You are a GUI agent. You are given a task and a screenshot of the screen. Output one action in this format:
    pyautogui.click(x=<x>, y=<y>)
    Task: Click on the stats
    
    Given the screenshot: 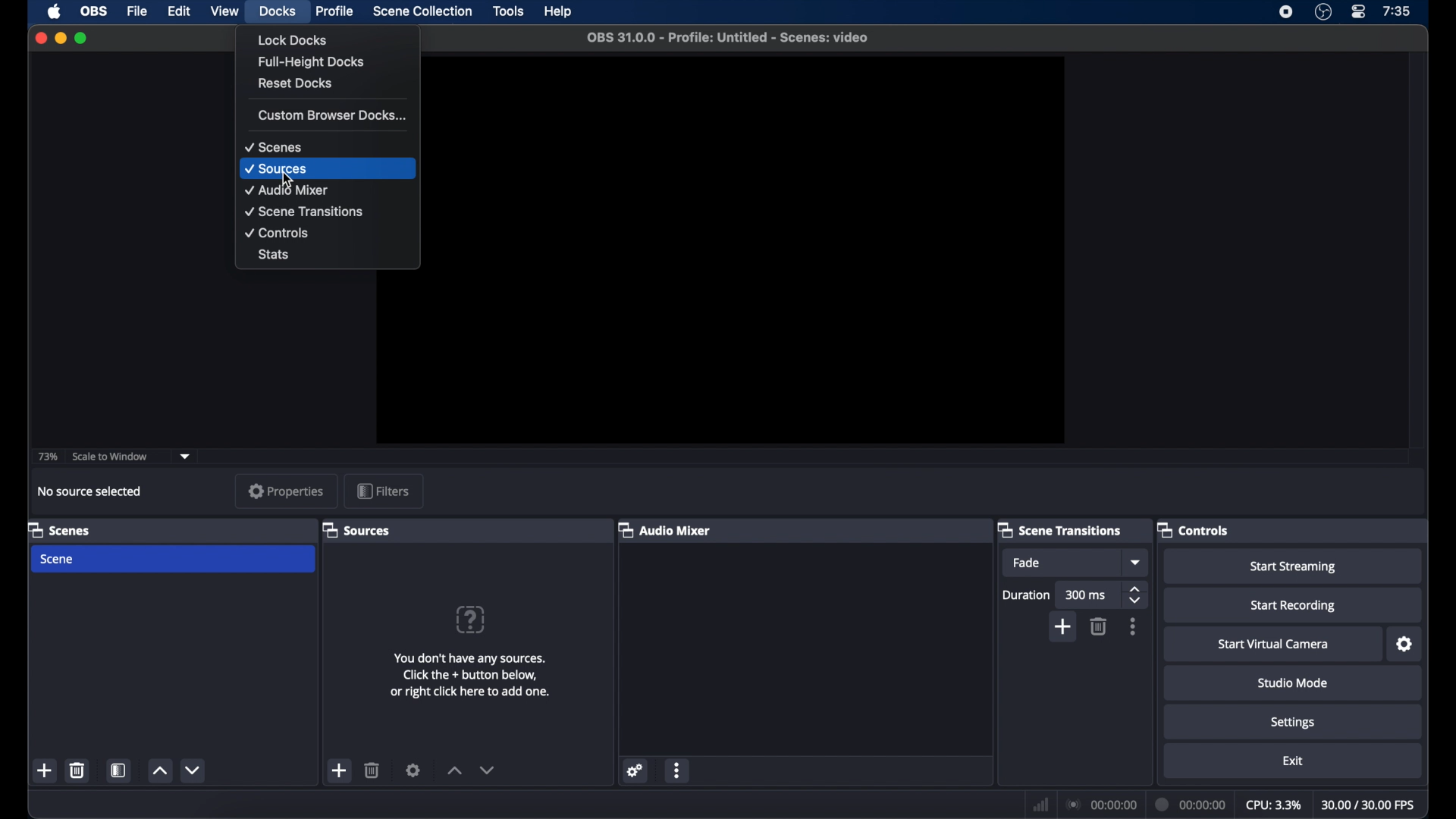 What is the action you would take?
    pyautogui.click(x=275, y=254)
    